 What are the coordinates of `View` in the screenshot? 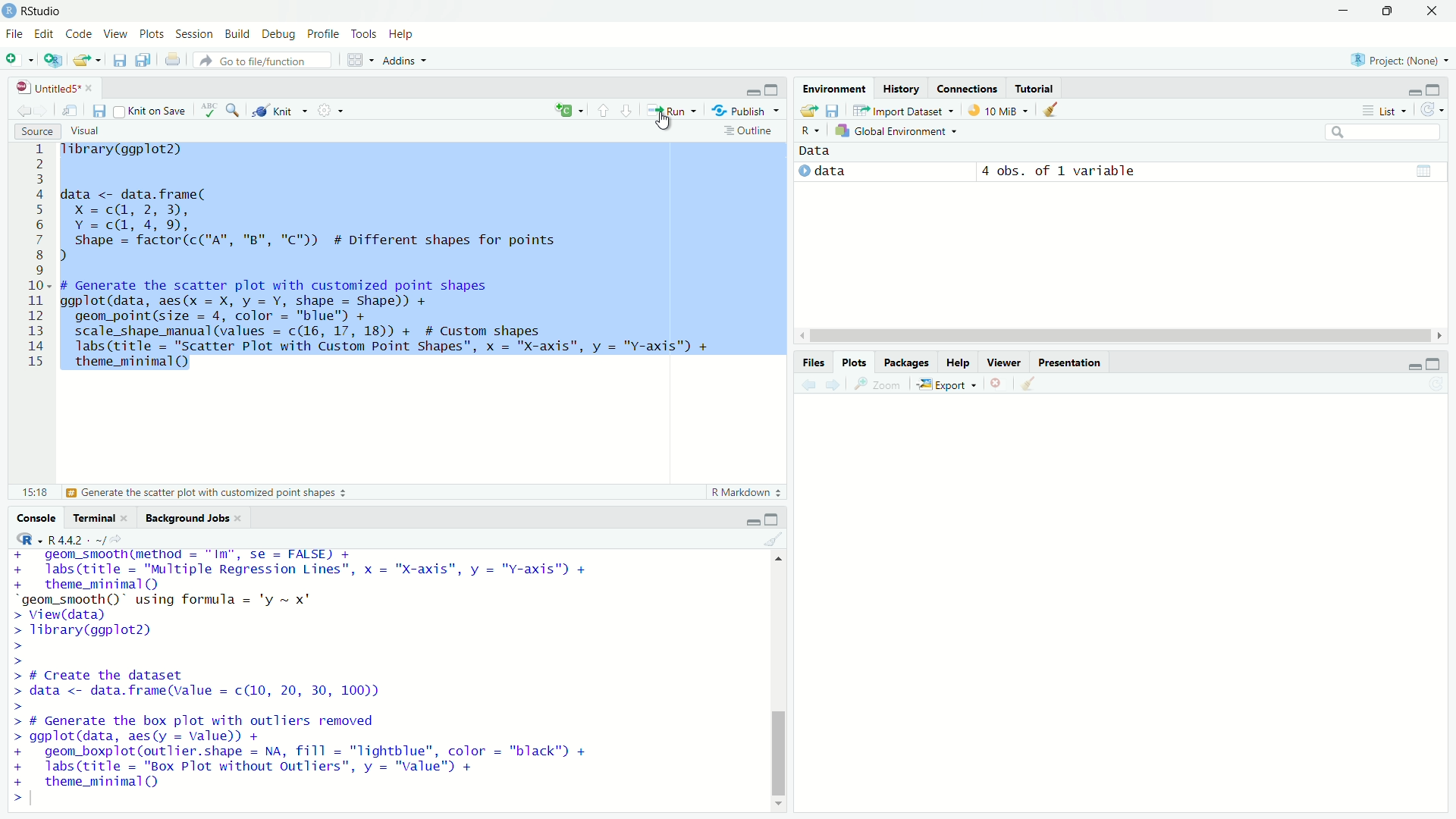 It's located at (114, 33).